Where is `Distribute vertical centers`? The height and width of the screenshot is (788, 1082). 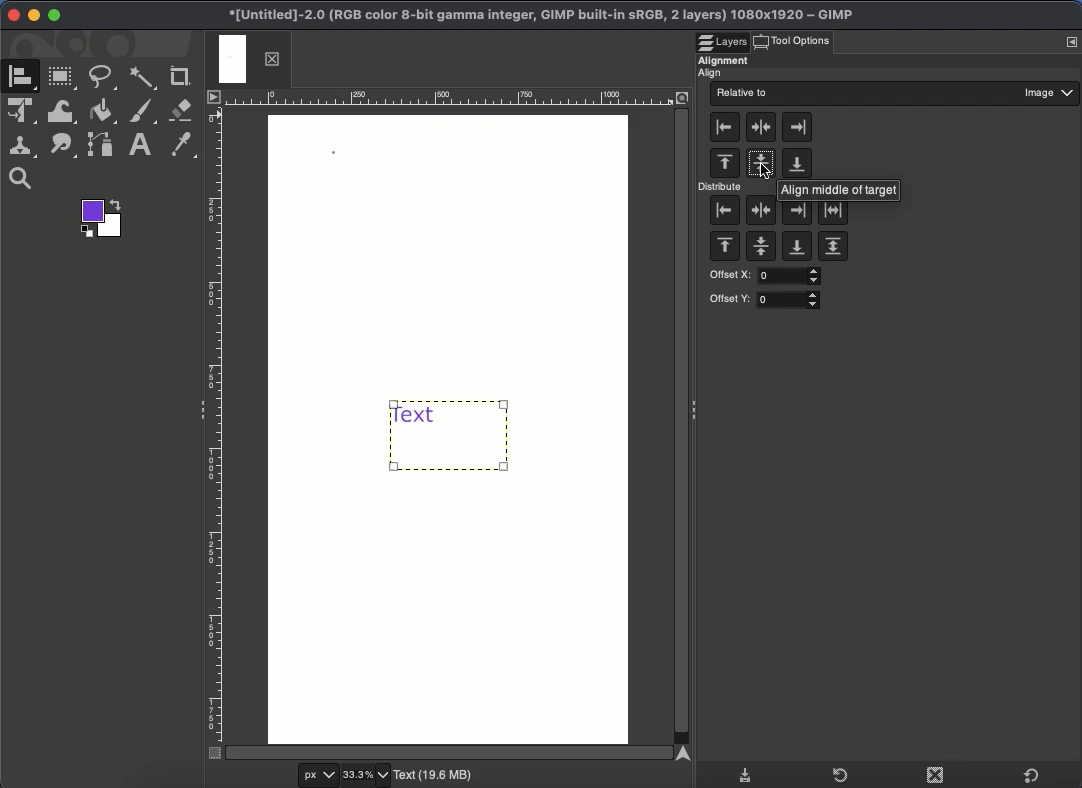 Distribute vertical centers is located at coordinates (762, 249).